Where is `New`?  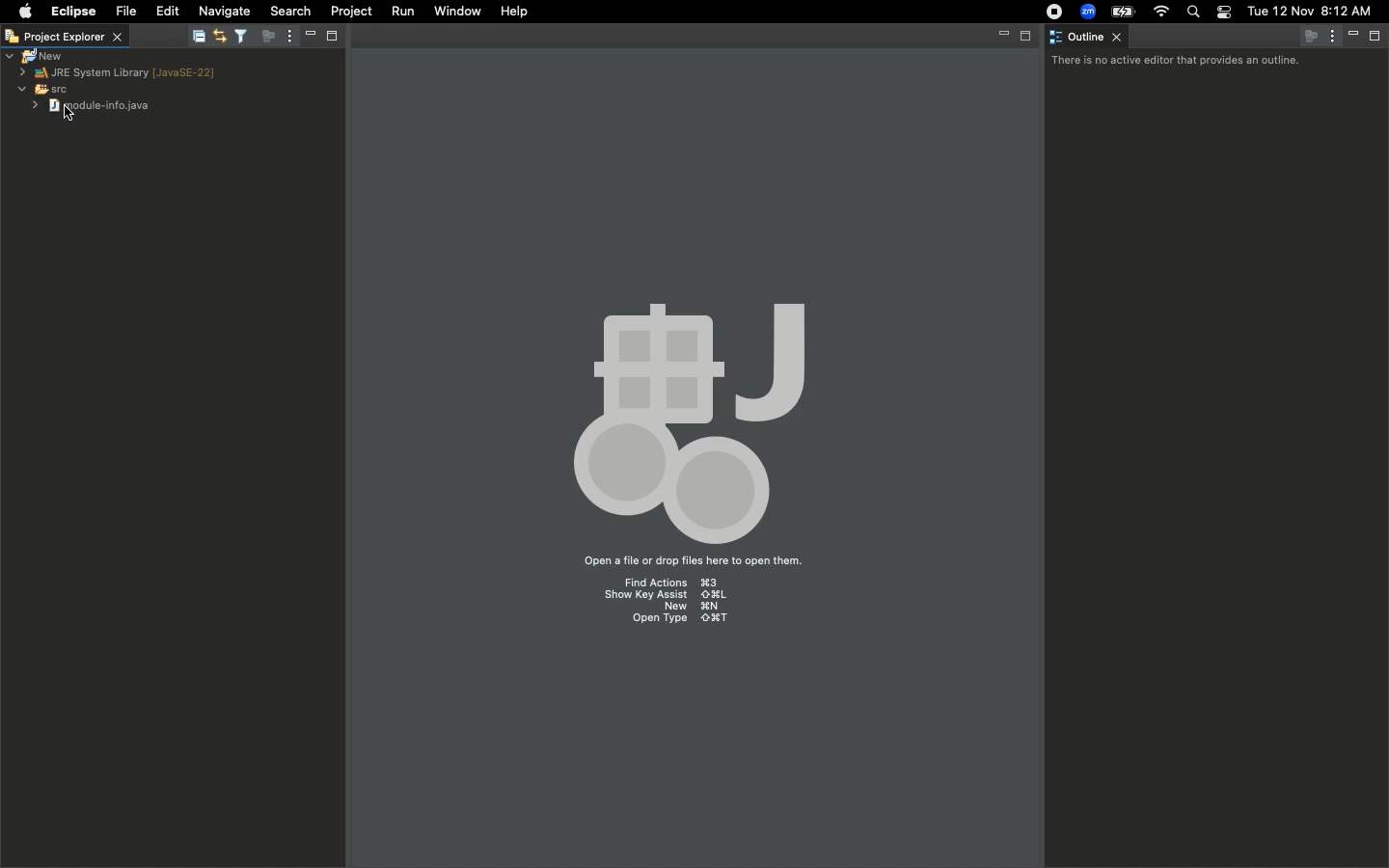 New is located at coordinates (32, 56).